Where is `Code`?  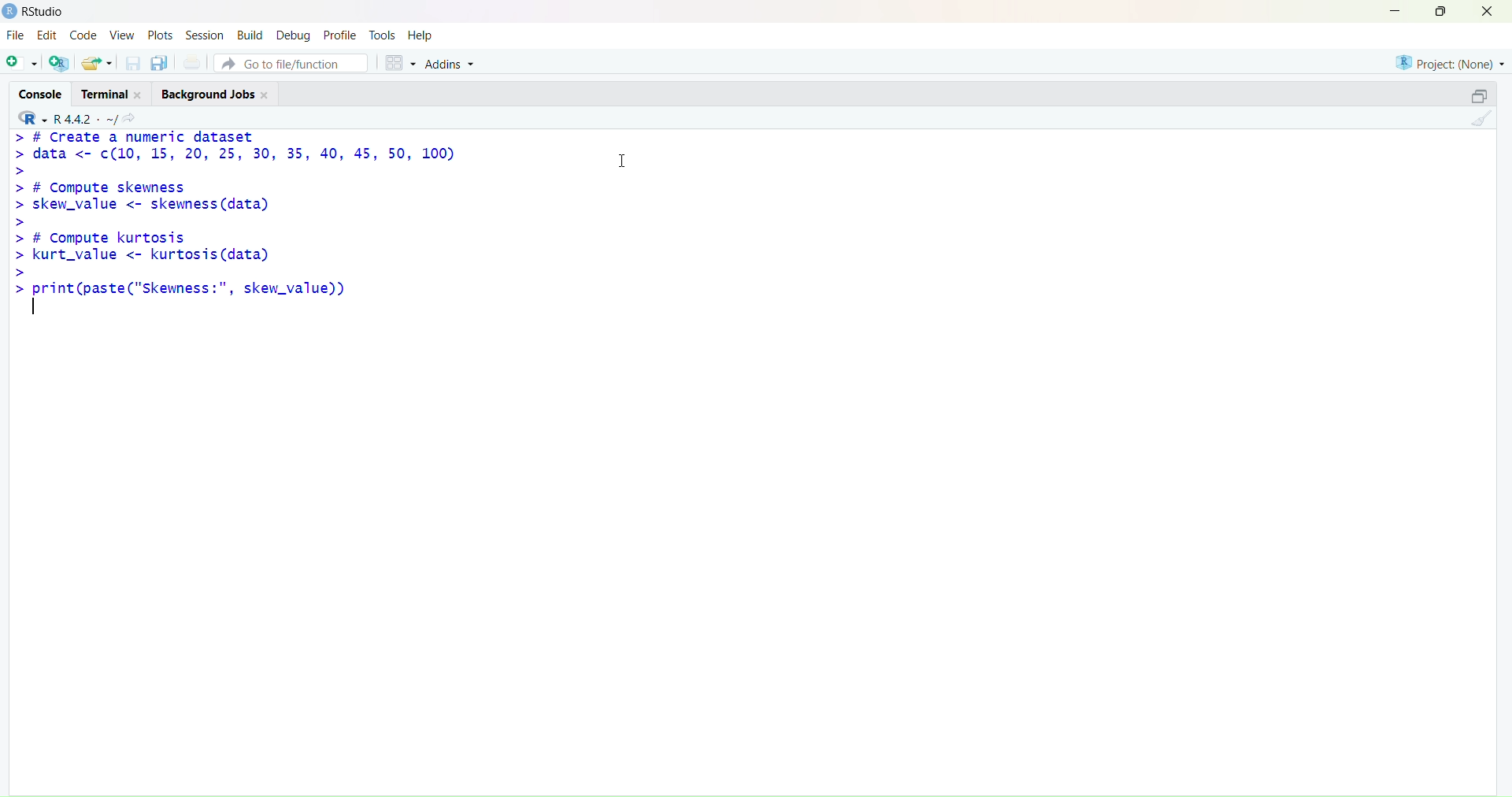 Code is located at coordinates (84, 36).